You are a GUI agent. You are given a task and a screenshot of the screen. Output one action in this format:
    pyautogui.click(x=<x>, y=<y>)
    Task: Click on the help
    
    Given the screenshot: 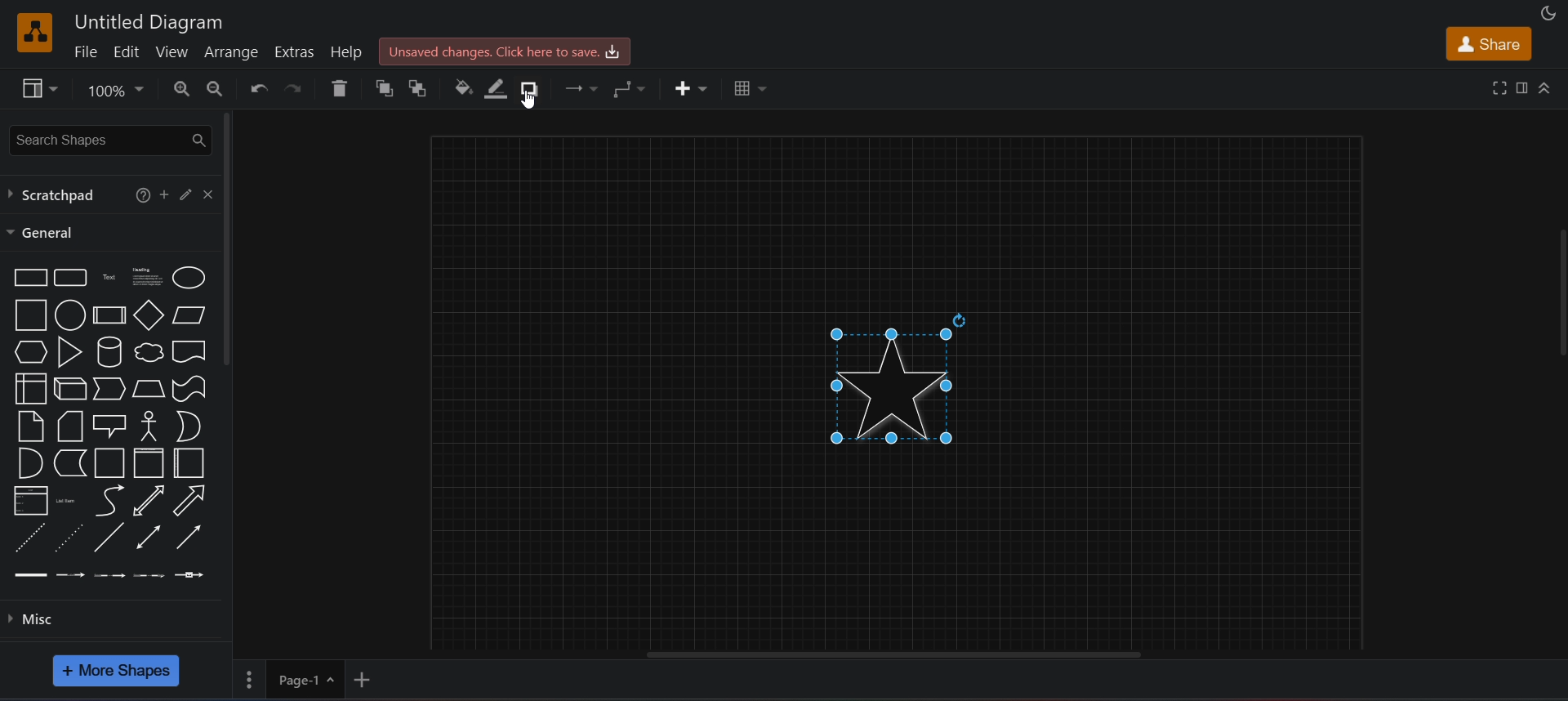 What is the action you would take?
    pyautogui.click(x=140, y=196)
    